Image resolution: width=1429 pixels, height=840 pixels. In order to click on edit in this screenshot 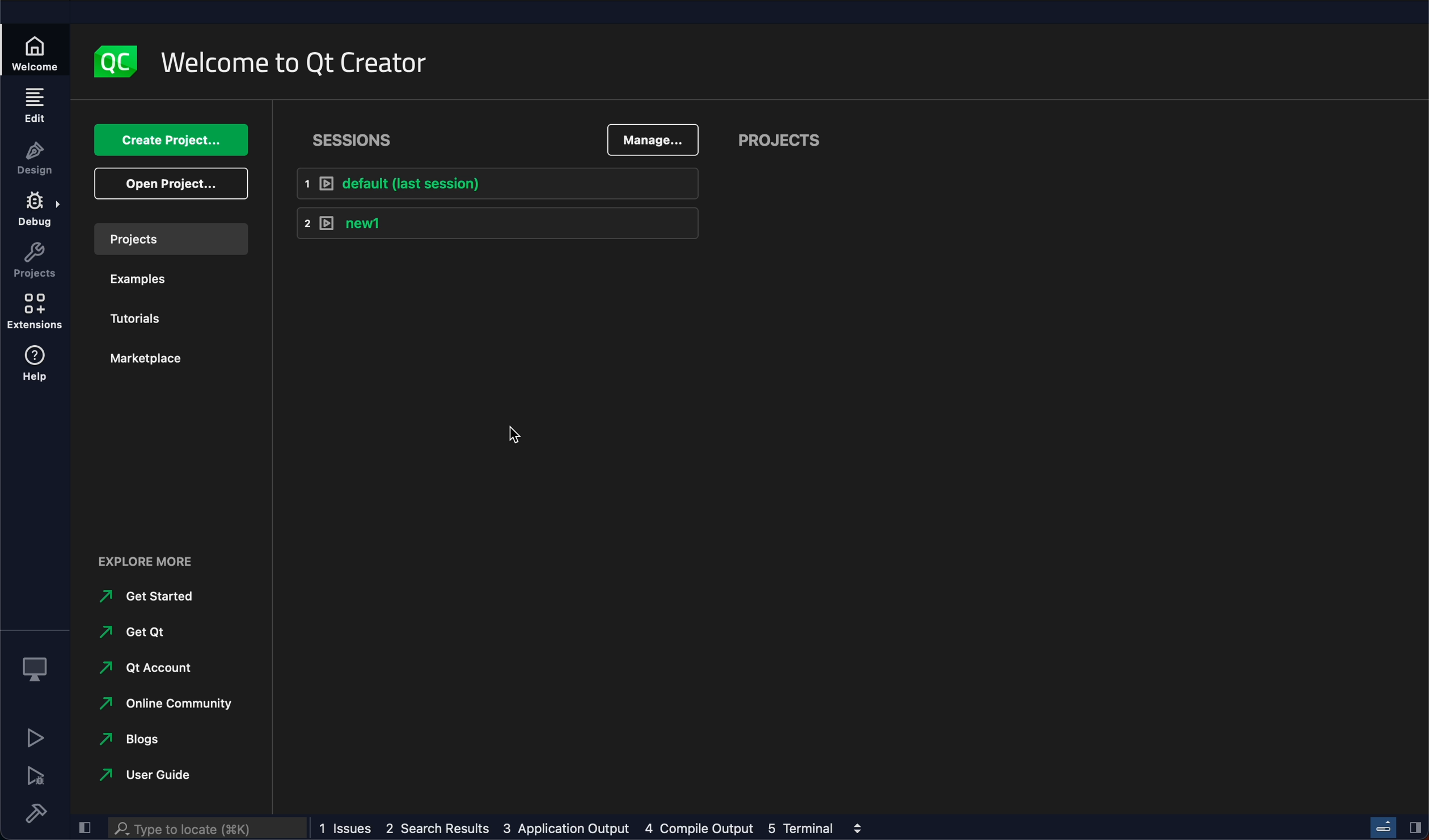, I will do `click(34, 105)`.